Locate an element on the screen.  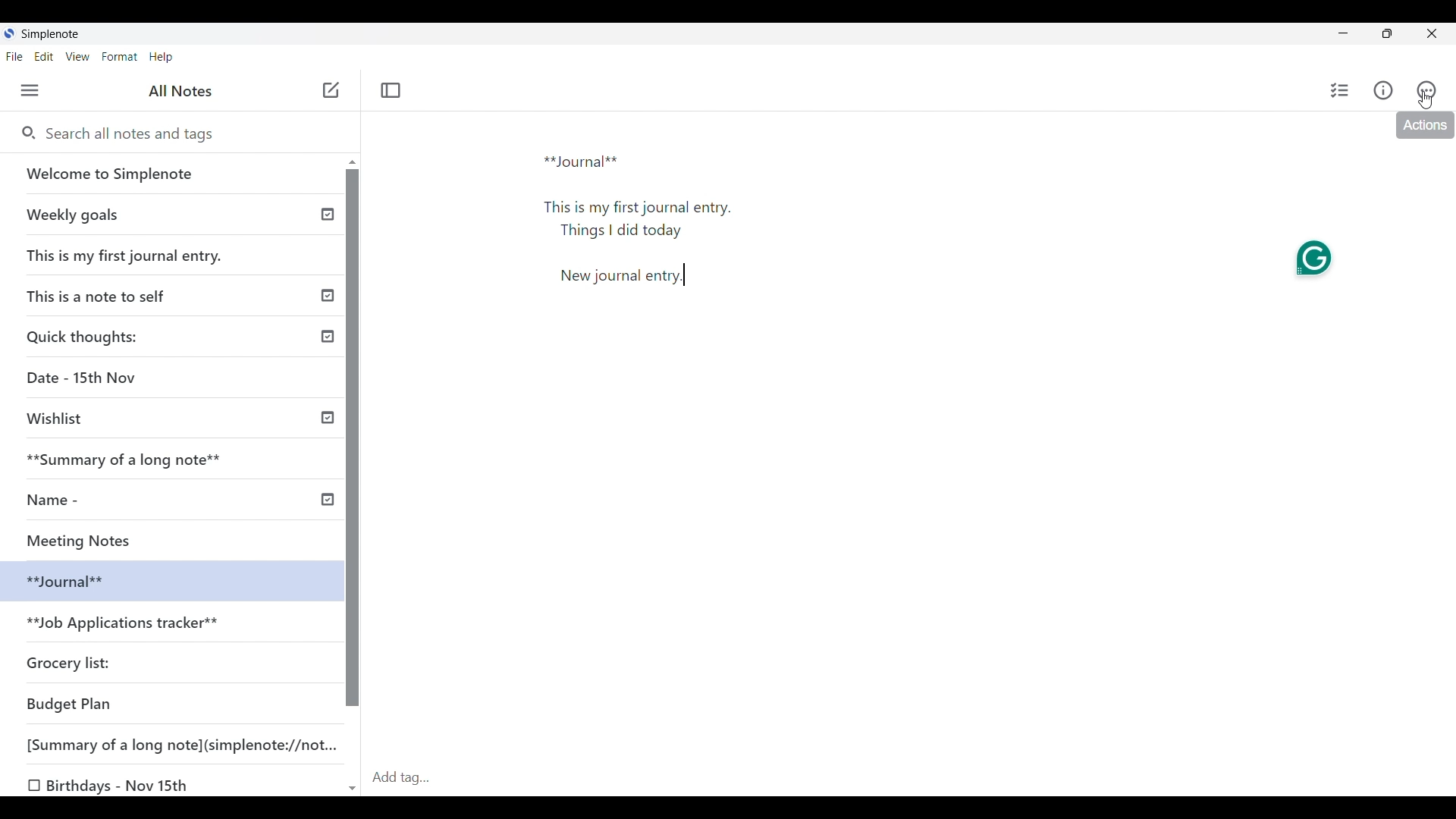
Budget Plan is located at coordinates (70, 704).